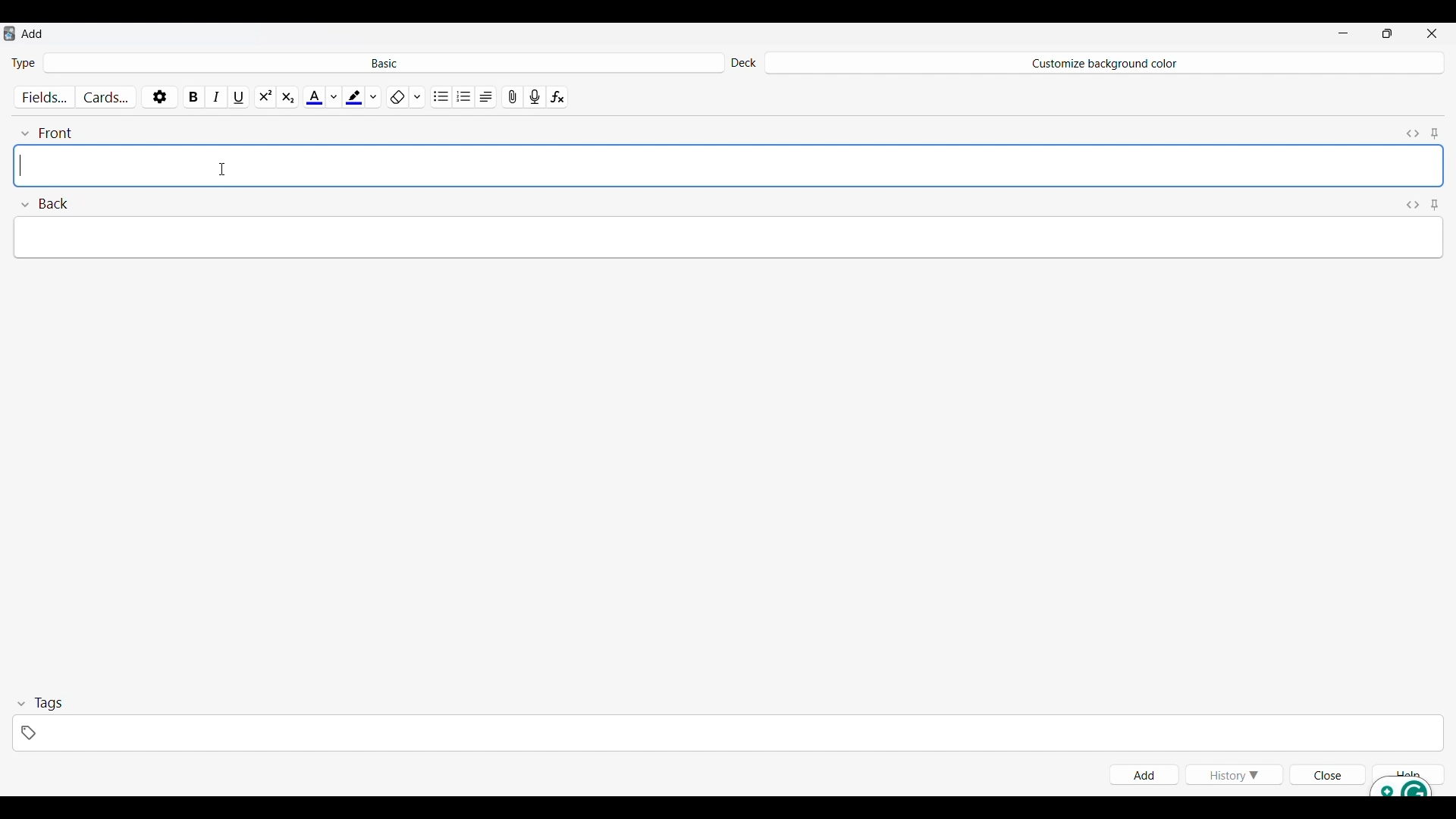 This screenshot has height=819, width=1456. What do you see at coordinates (46, 131) in the screenshot?
I see `Collapse font field` at bounding box center [46, 131].